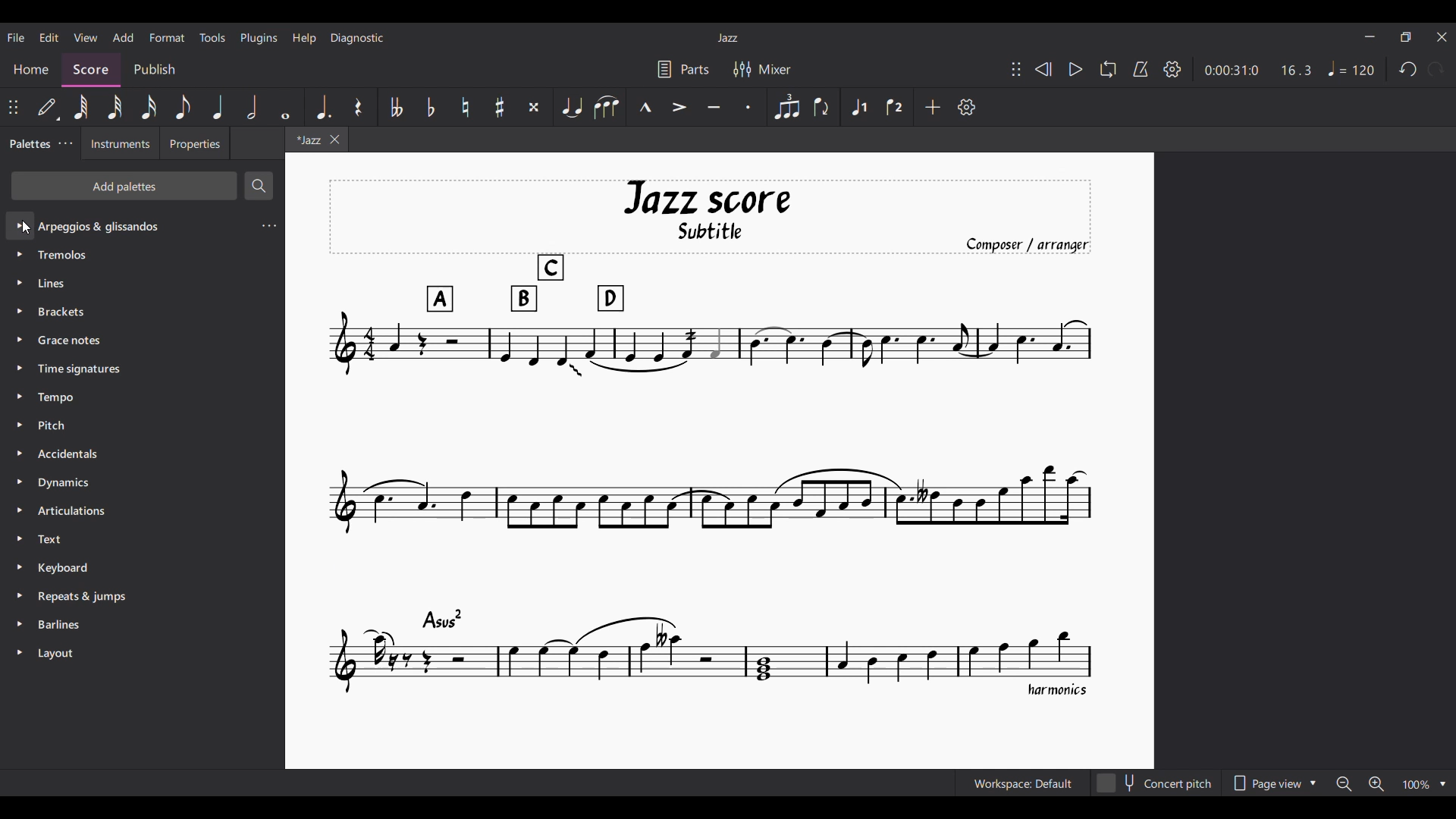 Image resolution: width=1456 pixels, height=819 pixels. I want to click on Current workspace setting, so click(1023, 783).